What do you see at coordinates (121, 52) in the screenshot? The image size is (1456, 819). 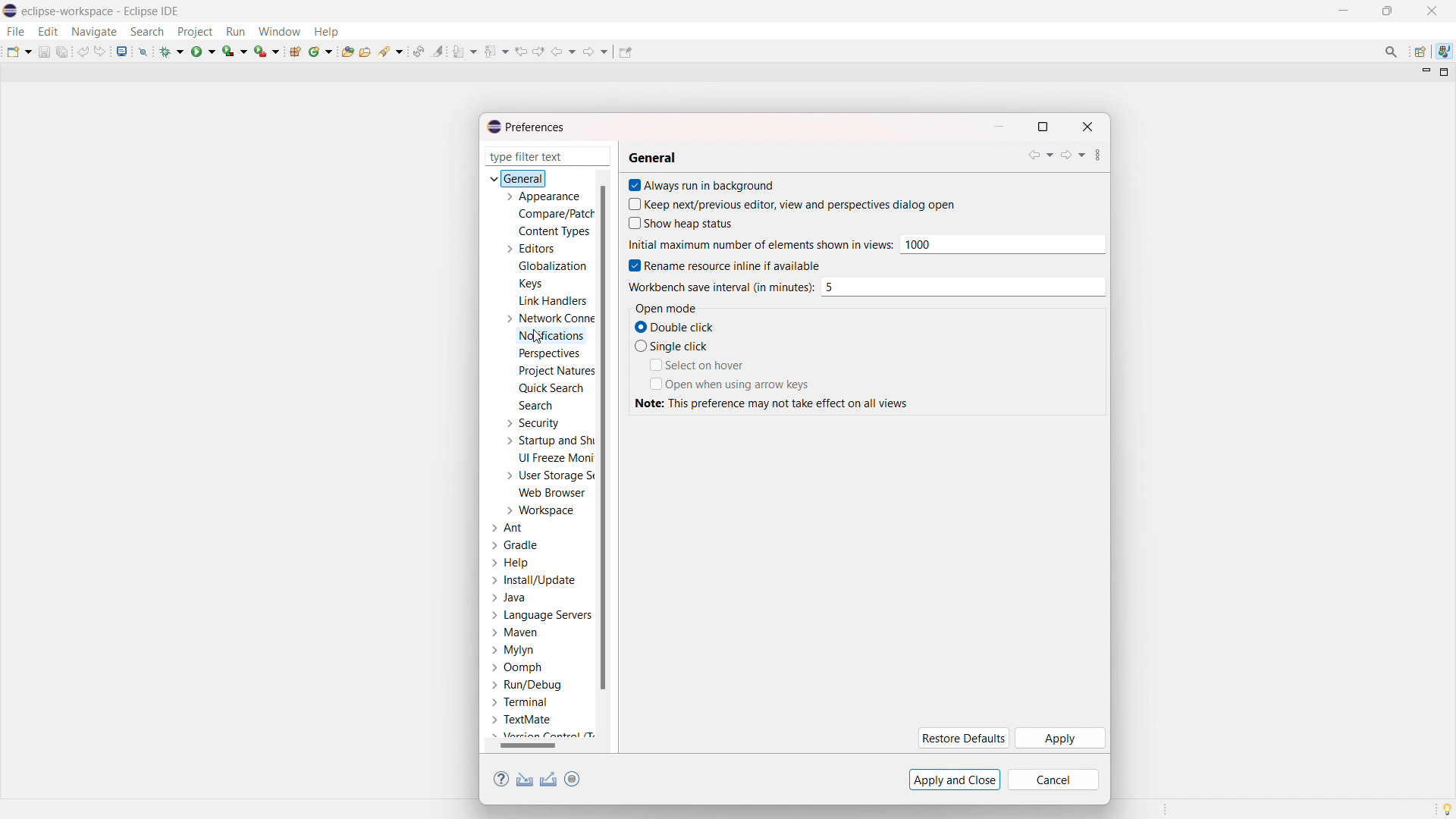 I see `open console` at bounding box center [121, 52].